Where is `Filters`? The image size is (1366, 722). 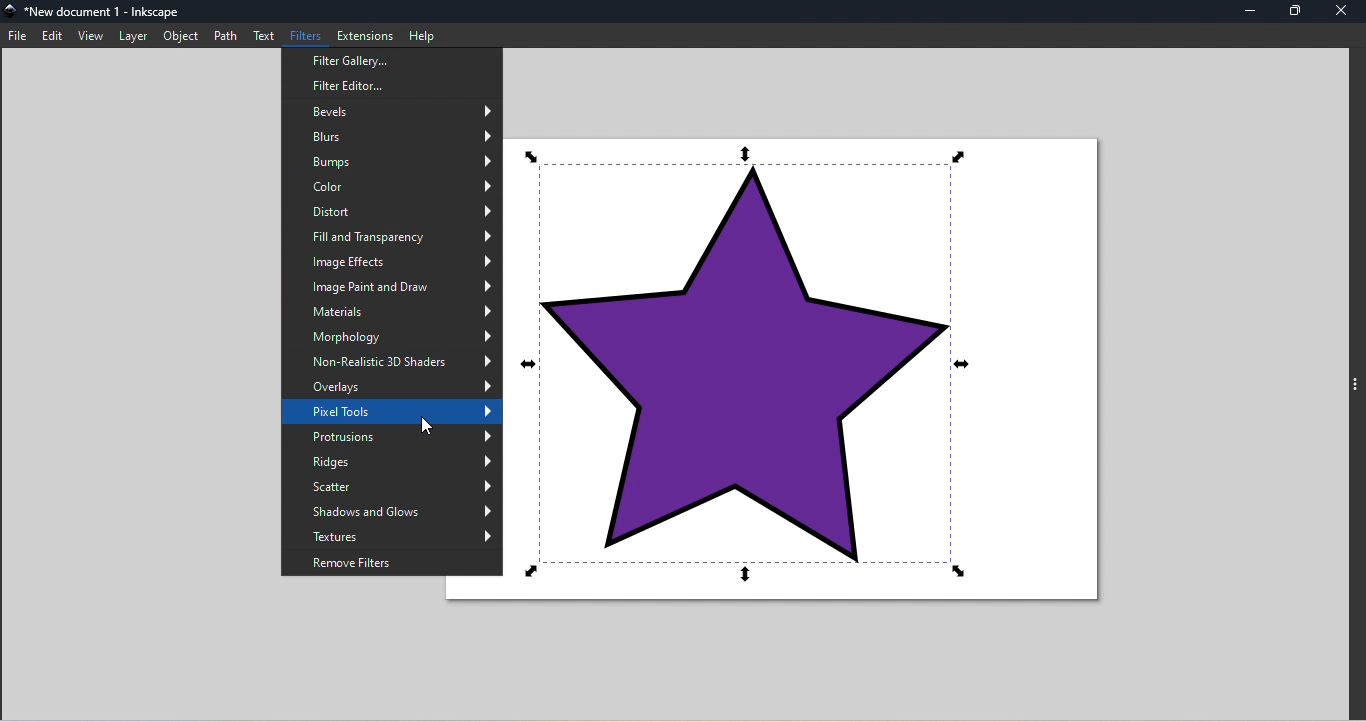 Filters is located at coordinates (307, 37).